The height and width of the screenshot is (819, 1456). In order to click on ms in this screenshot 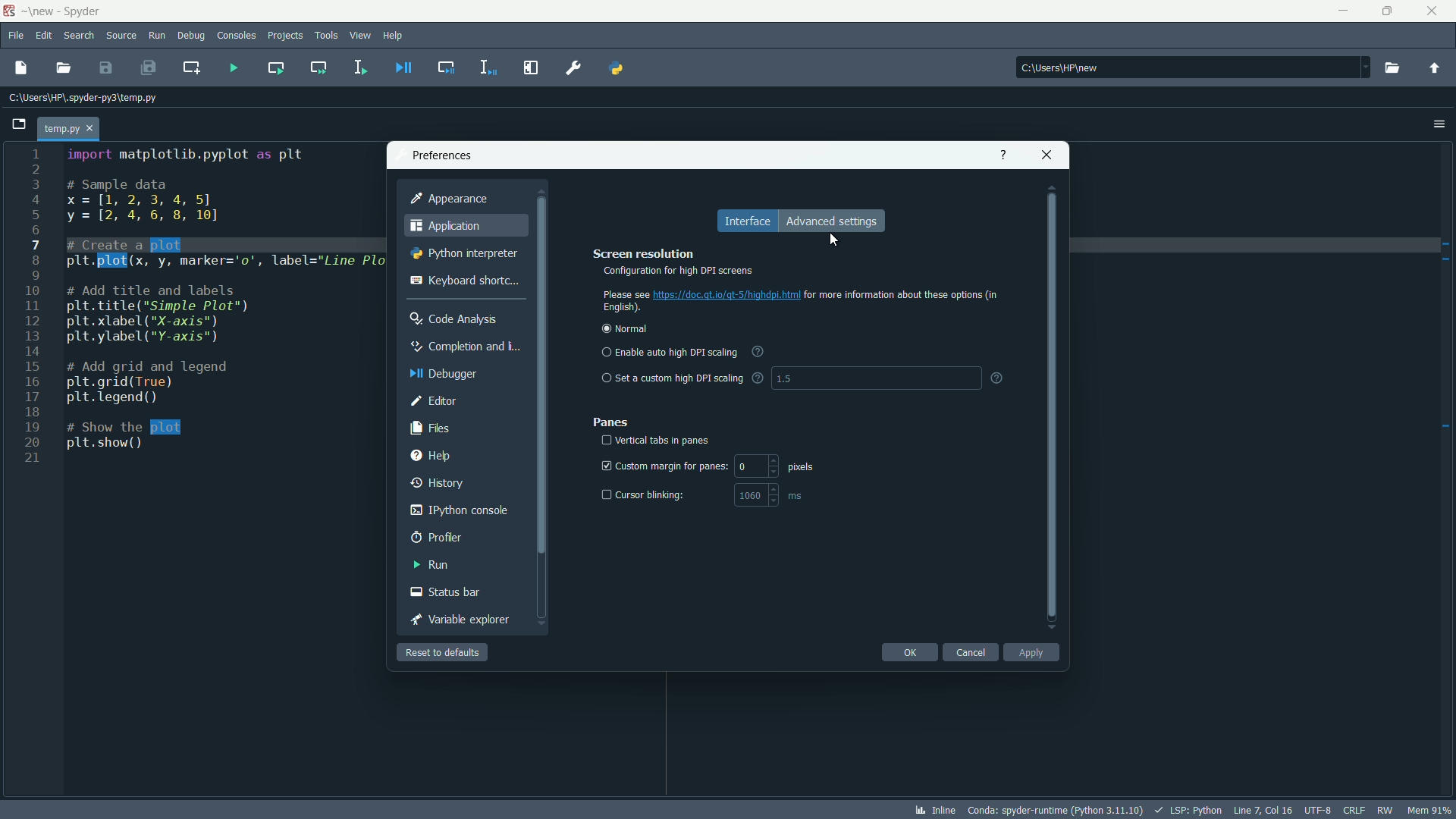, I will do `click(797, 496)`.